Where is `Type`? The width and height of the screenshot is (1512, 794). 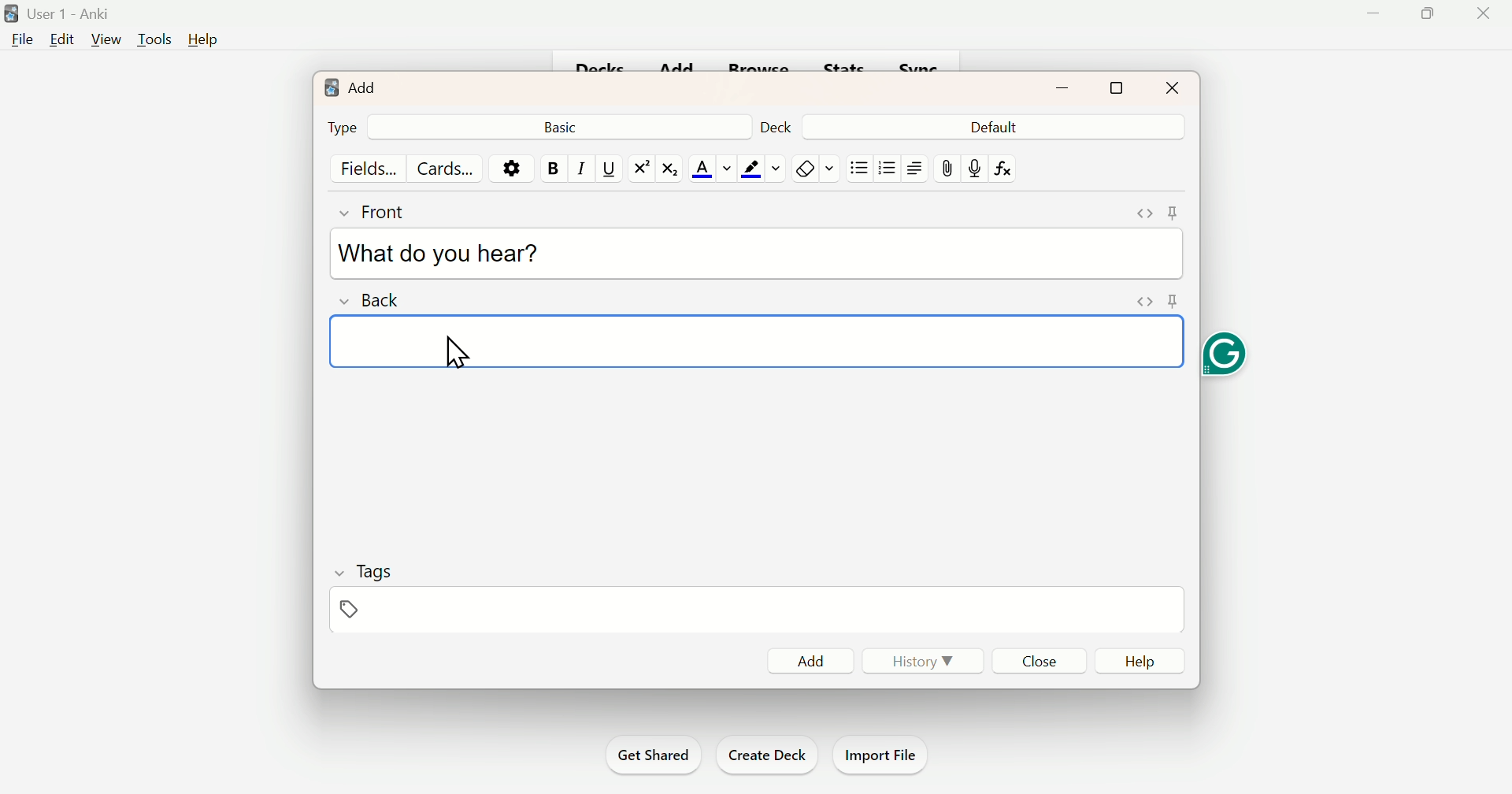
Type is located at coordinates (343, 126).